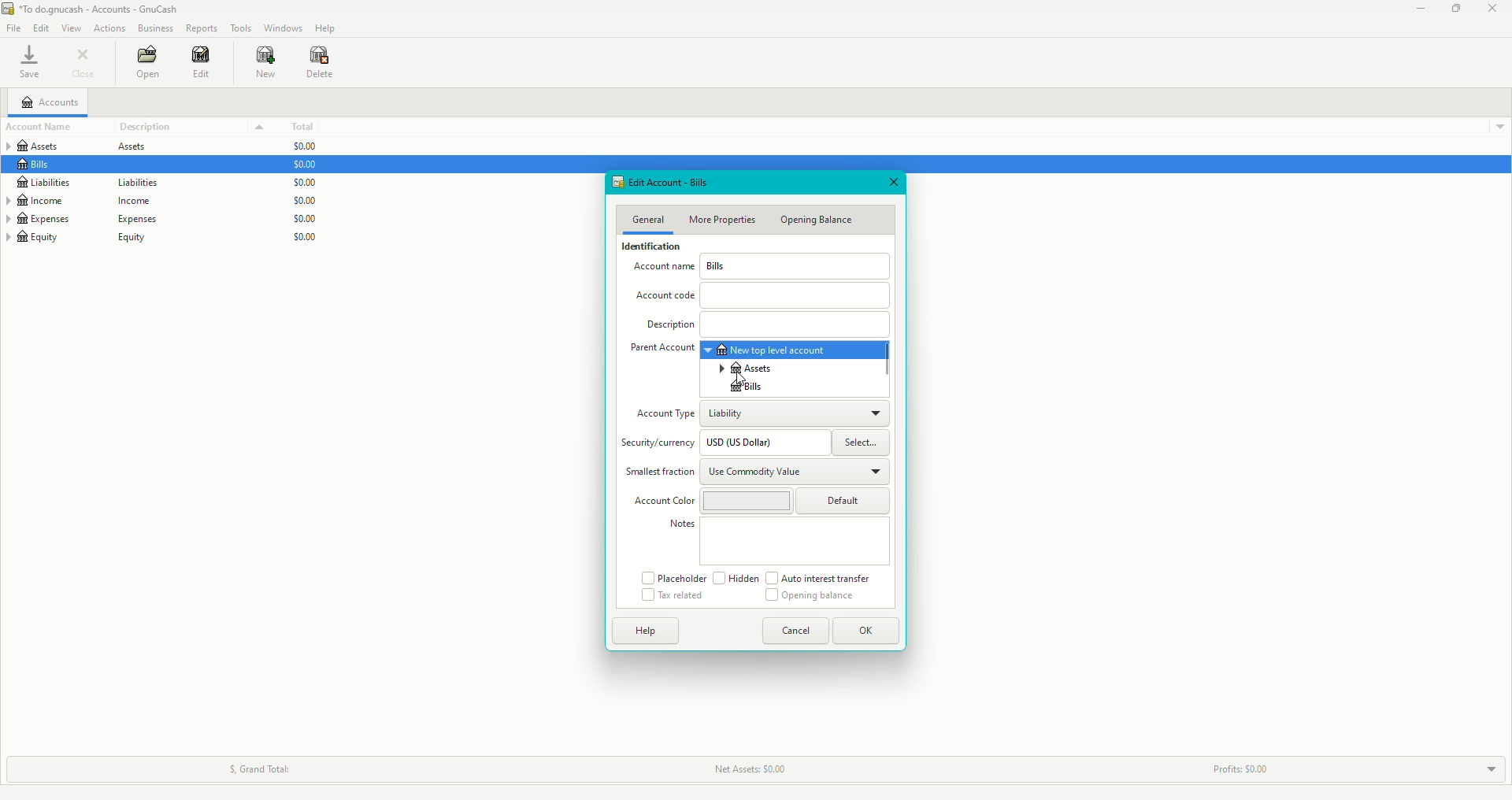 This screenshot has height=800, width=1512. I want to click on $0, so click(312, 198).